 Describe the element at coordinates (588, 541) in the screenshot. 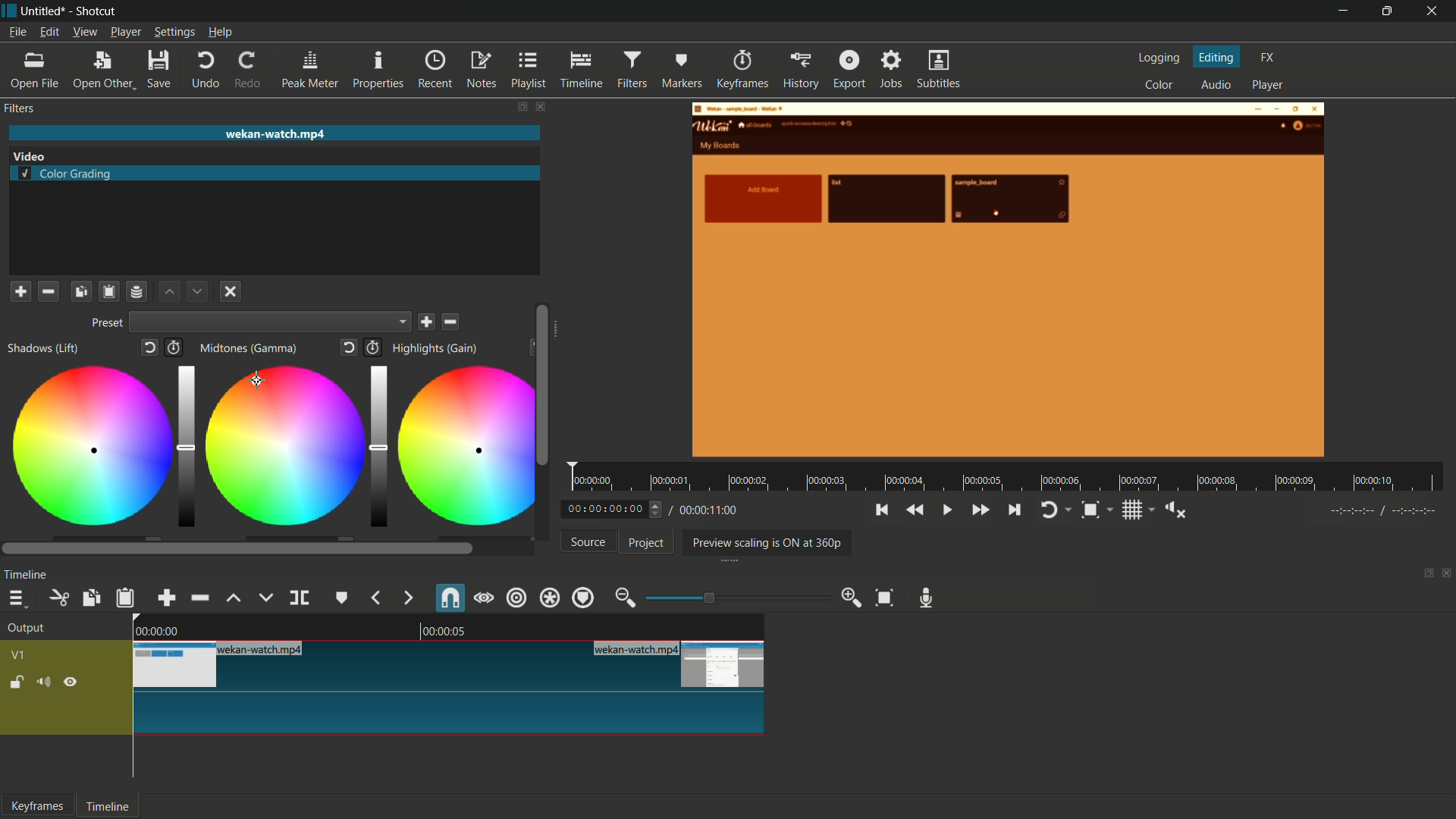

I see `source` at that location.